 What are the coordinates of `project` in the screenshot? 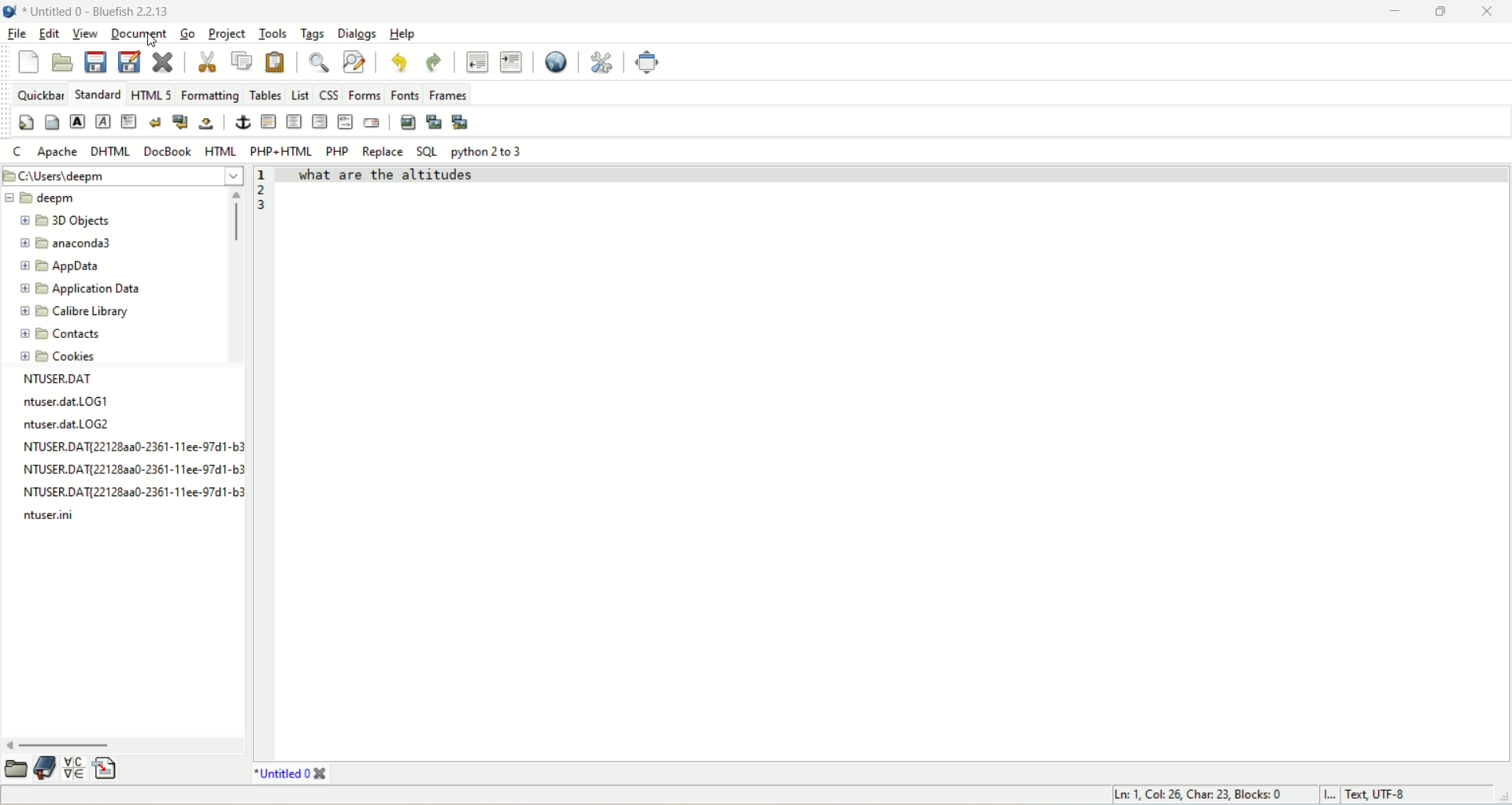 It's located at (225, 32).